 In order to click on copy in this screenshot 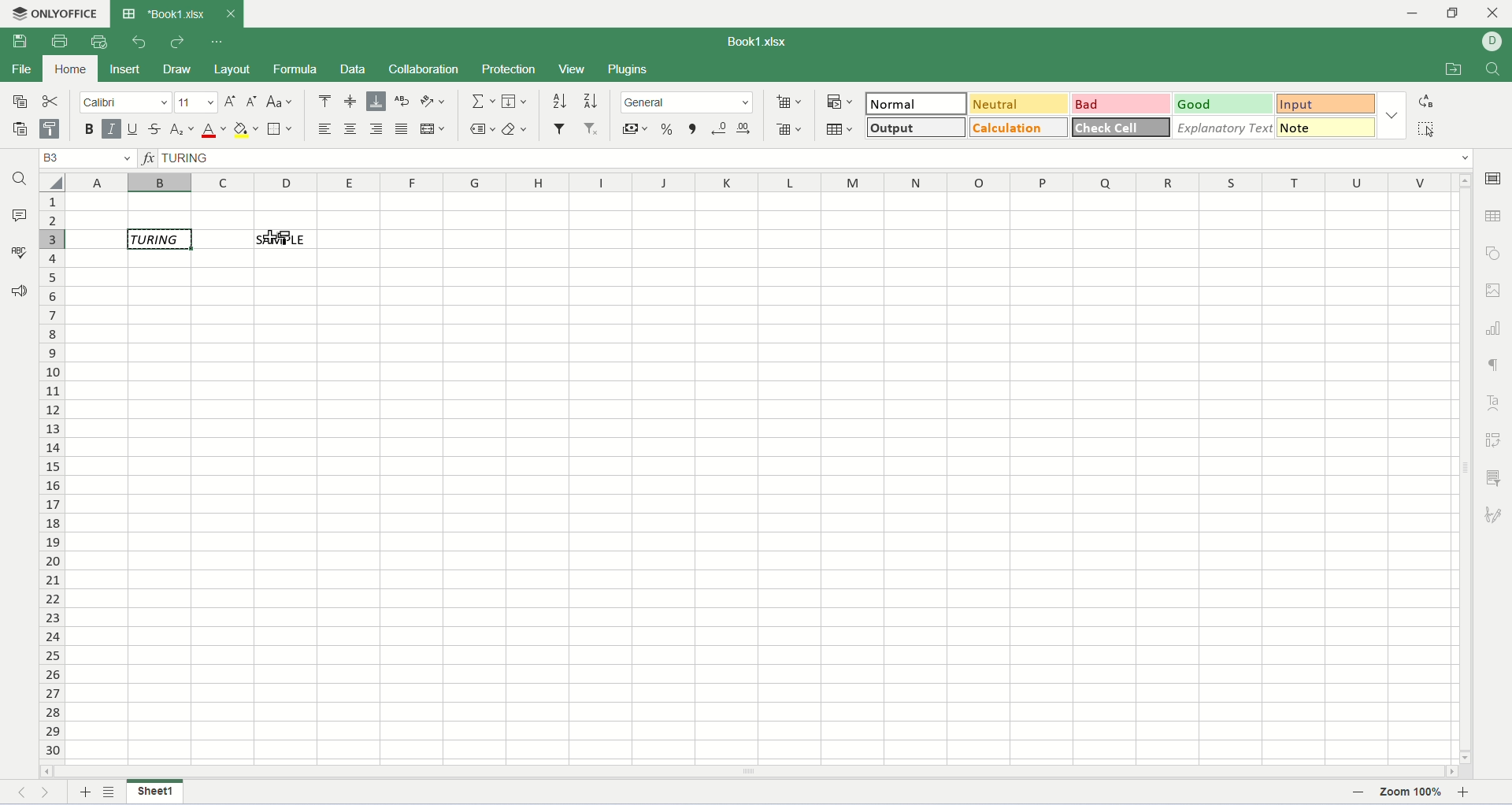, I will do `click(15, 101)`.